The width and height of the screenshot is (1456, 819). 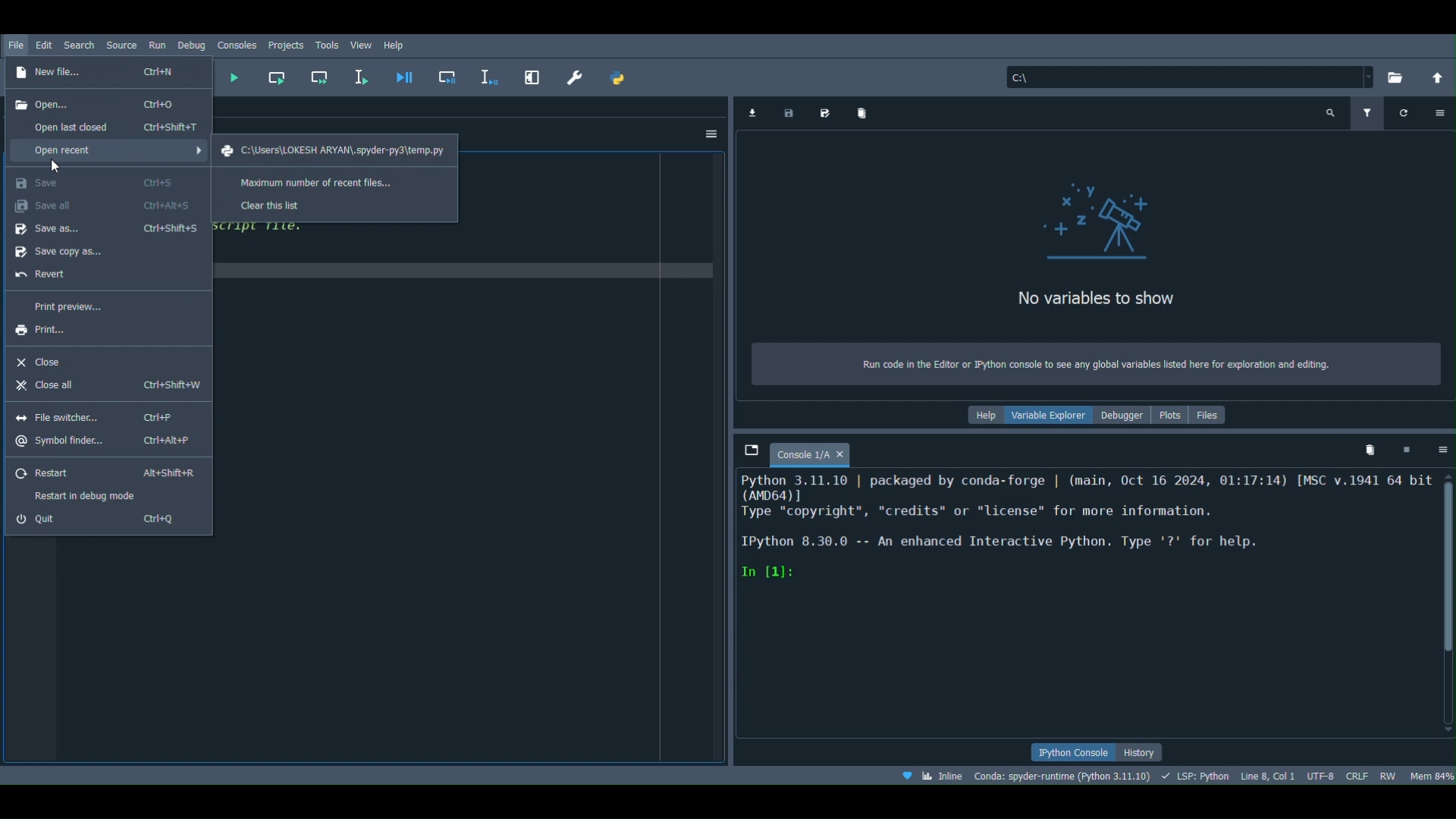 What do you see at coordinates (108, 74) in the screenshot?
I see `New file ` at bounding box center [108, 74].